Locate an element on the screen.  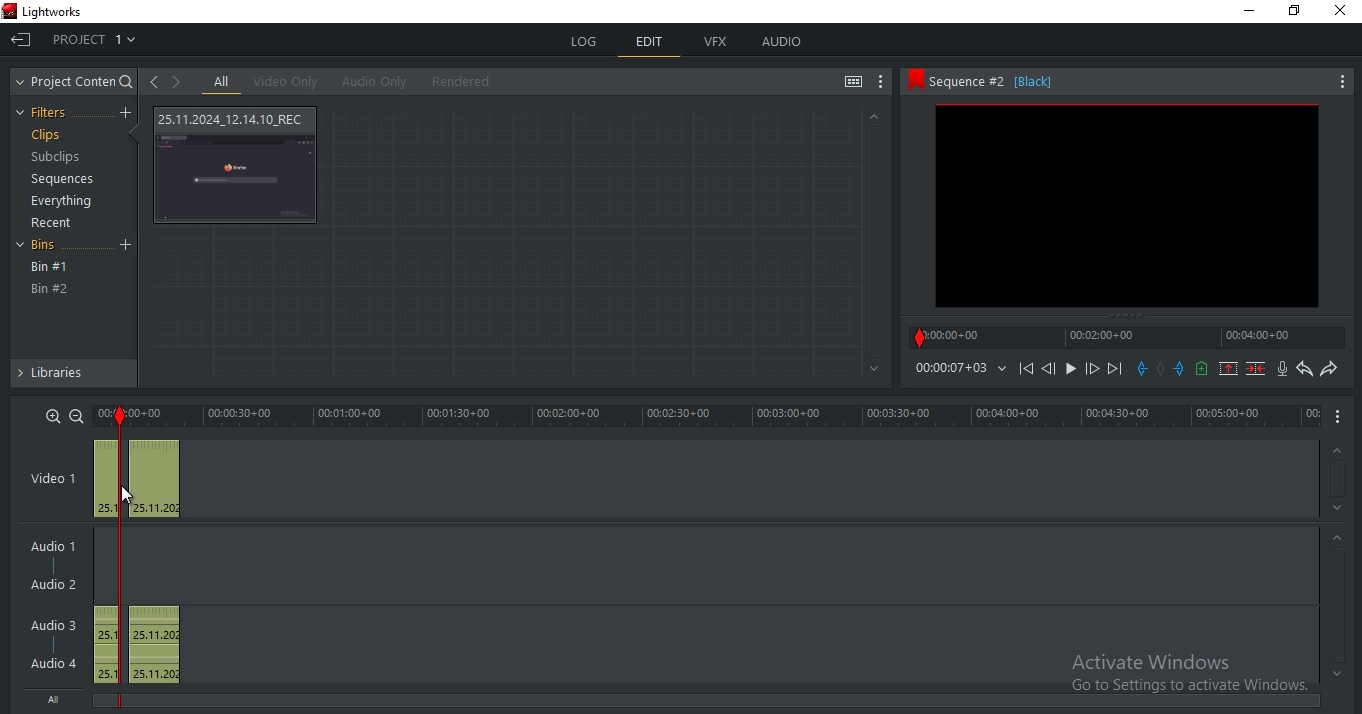
More Options is located at coordinates (1343, 80).